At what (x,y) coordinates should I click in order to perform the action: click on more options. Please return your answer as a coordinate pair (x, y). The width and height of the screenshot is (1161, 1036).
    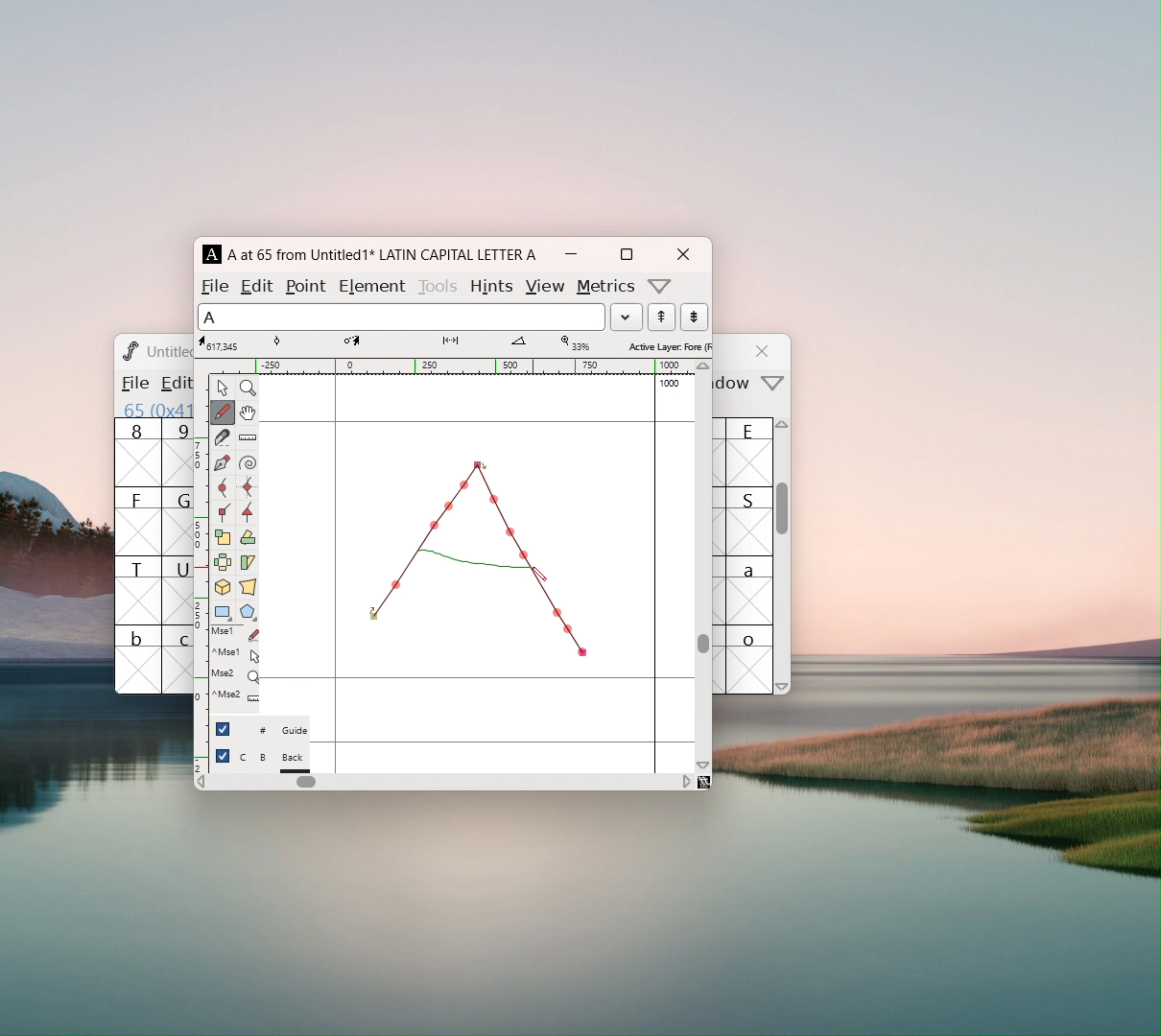
    Looking at the image, I should click on (660, 286).